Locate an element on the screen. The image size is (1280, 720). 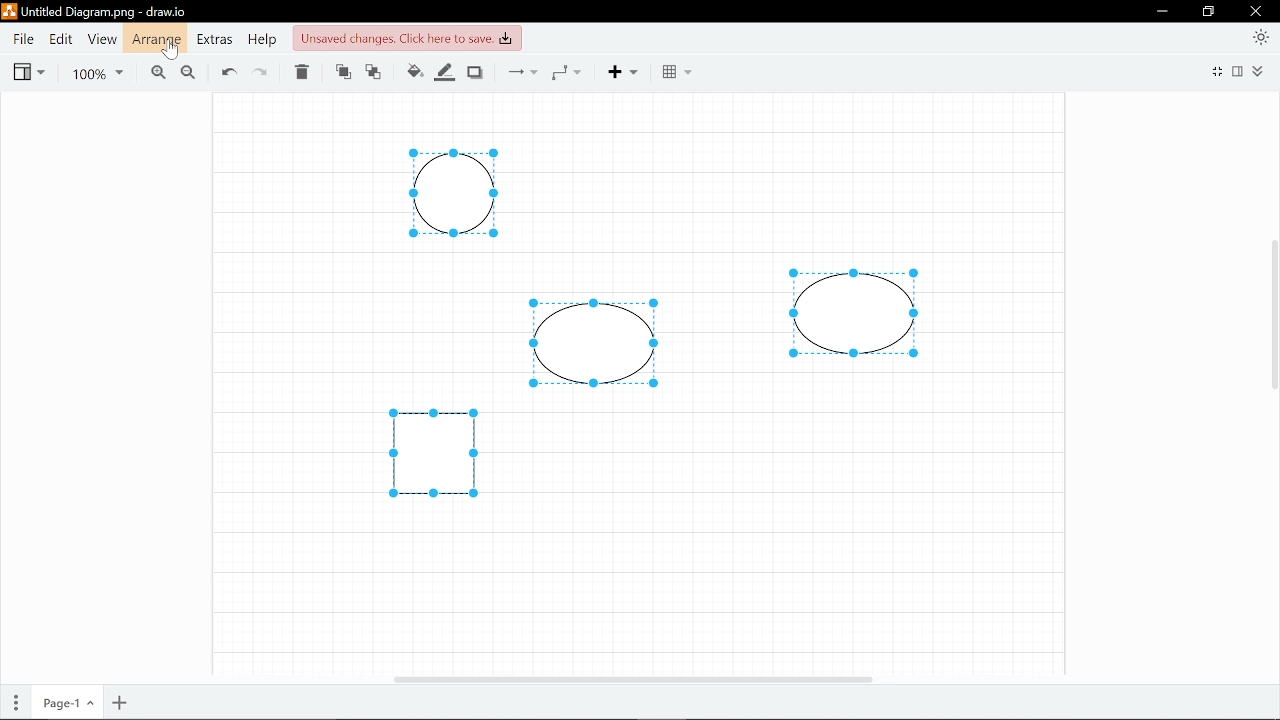
Cursor is located at coordinates (172, 51).